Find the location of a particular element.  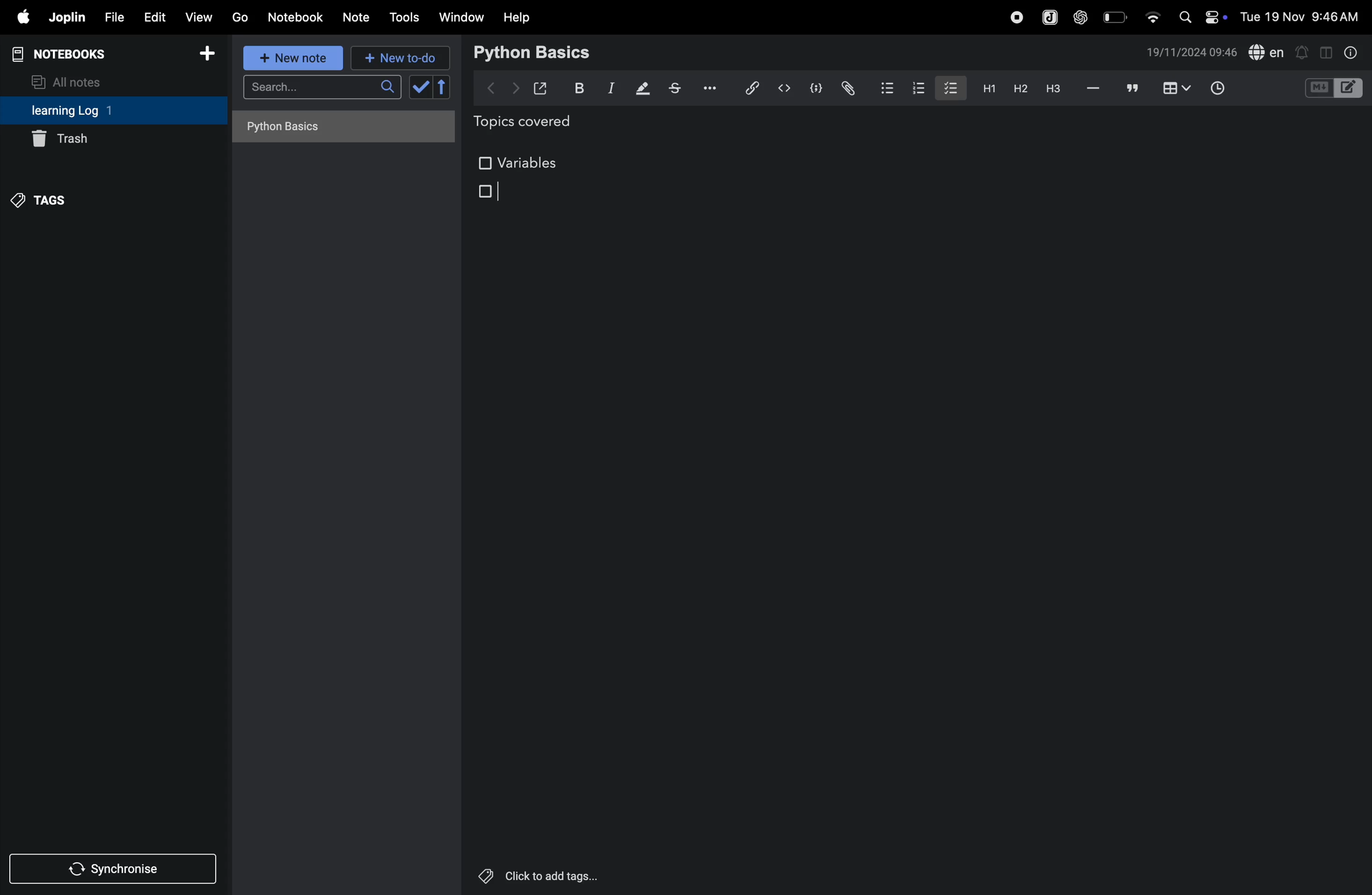

displaying is located at coordinates (643, 89).